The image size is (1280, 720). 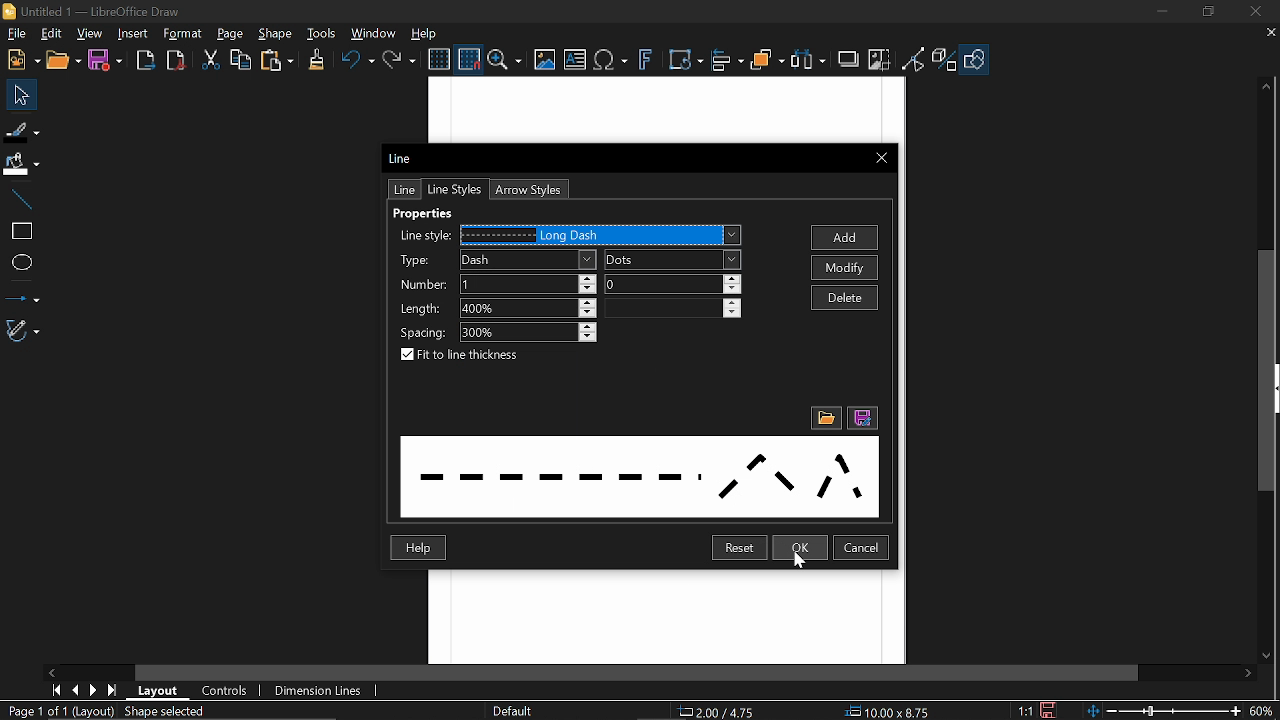 What do you see at coordinates (275, 35) in the screenshot?
I see `Shape` at bounding box center [275, 35].